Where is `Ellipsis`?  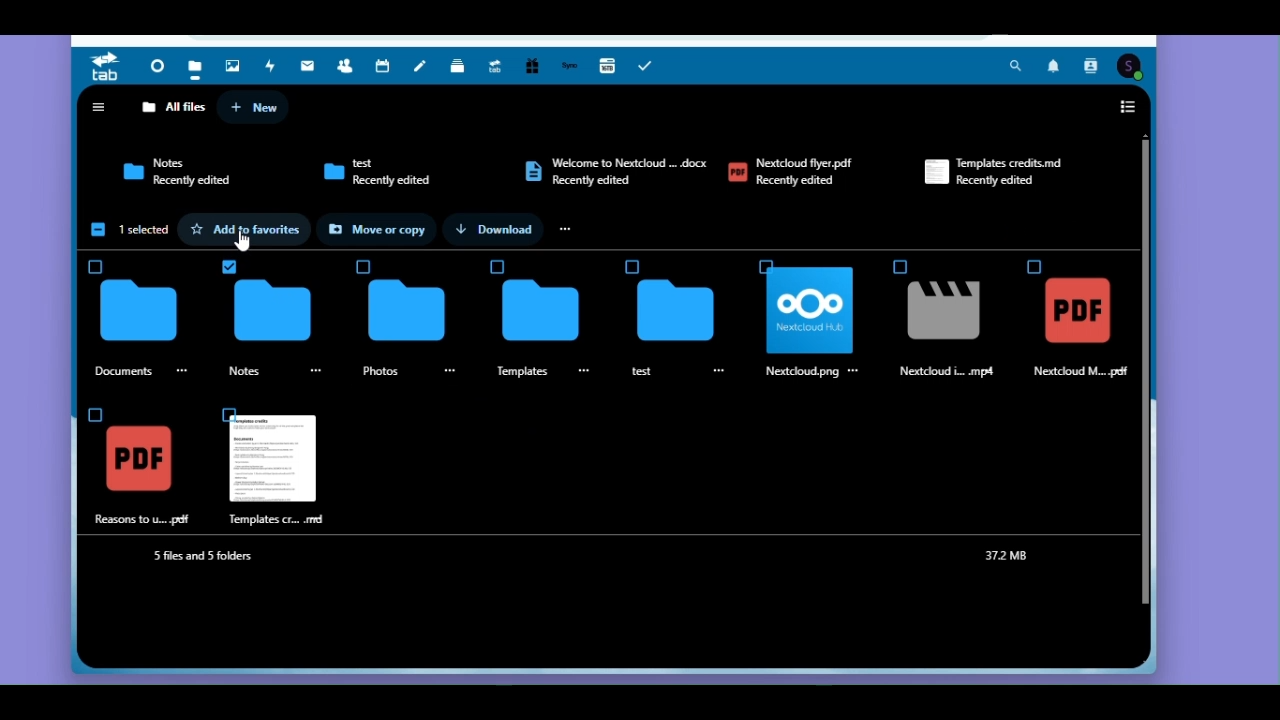
Ellipsis is located at coordinates (315, 369).